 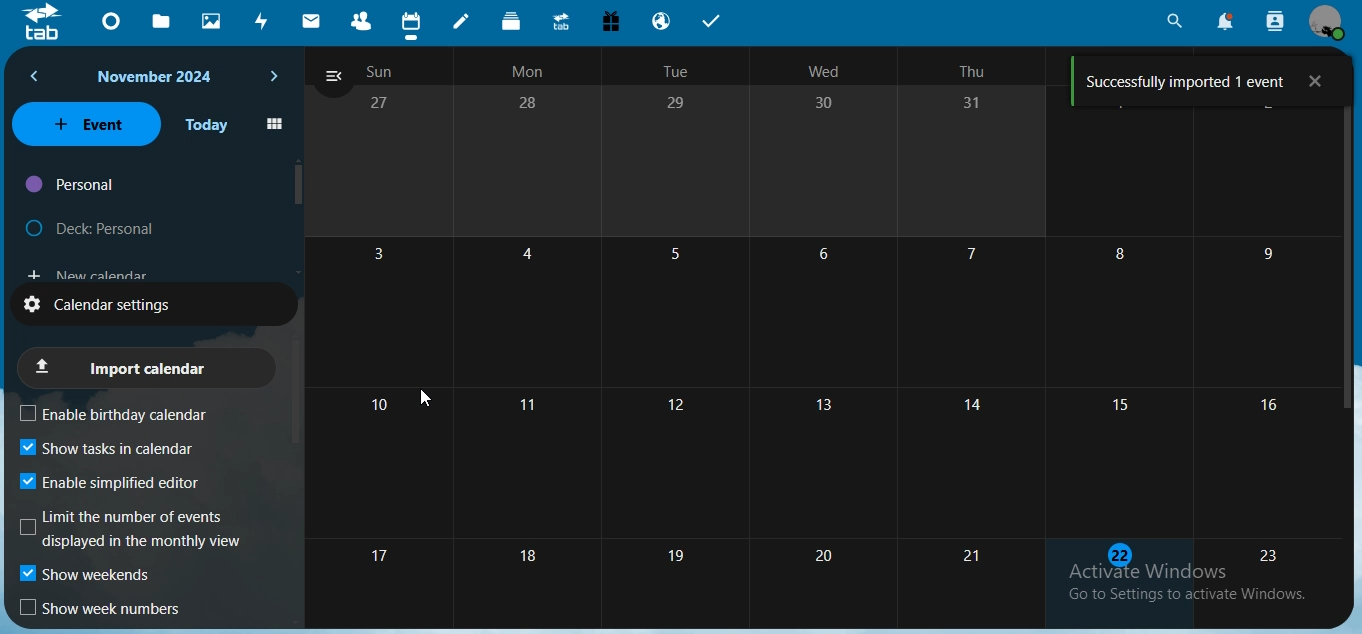 I want to click on photos, so click(x=212, y=22).